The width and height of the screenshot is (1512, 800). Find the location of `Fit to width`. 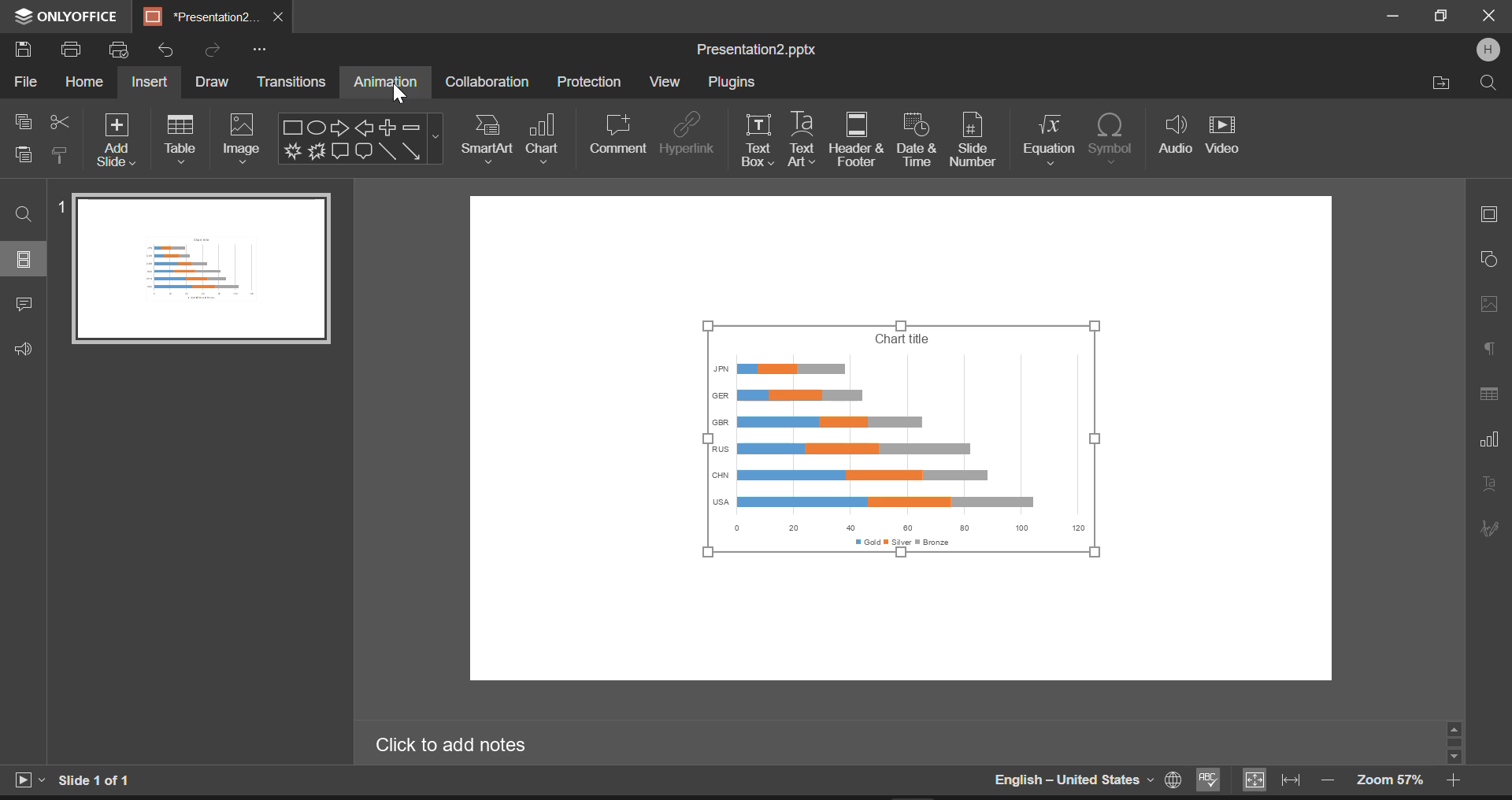

Fit to width is located at coordinates (1291, 780).